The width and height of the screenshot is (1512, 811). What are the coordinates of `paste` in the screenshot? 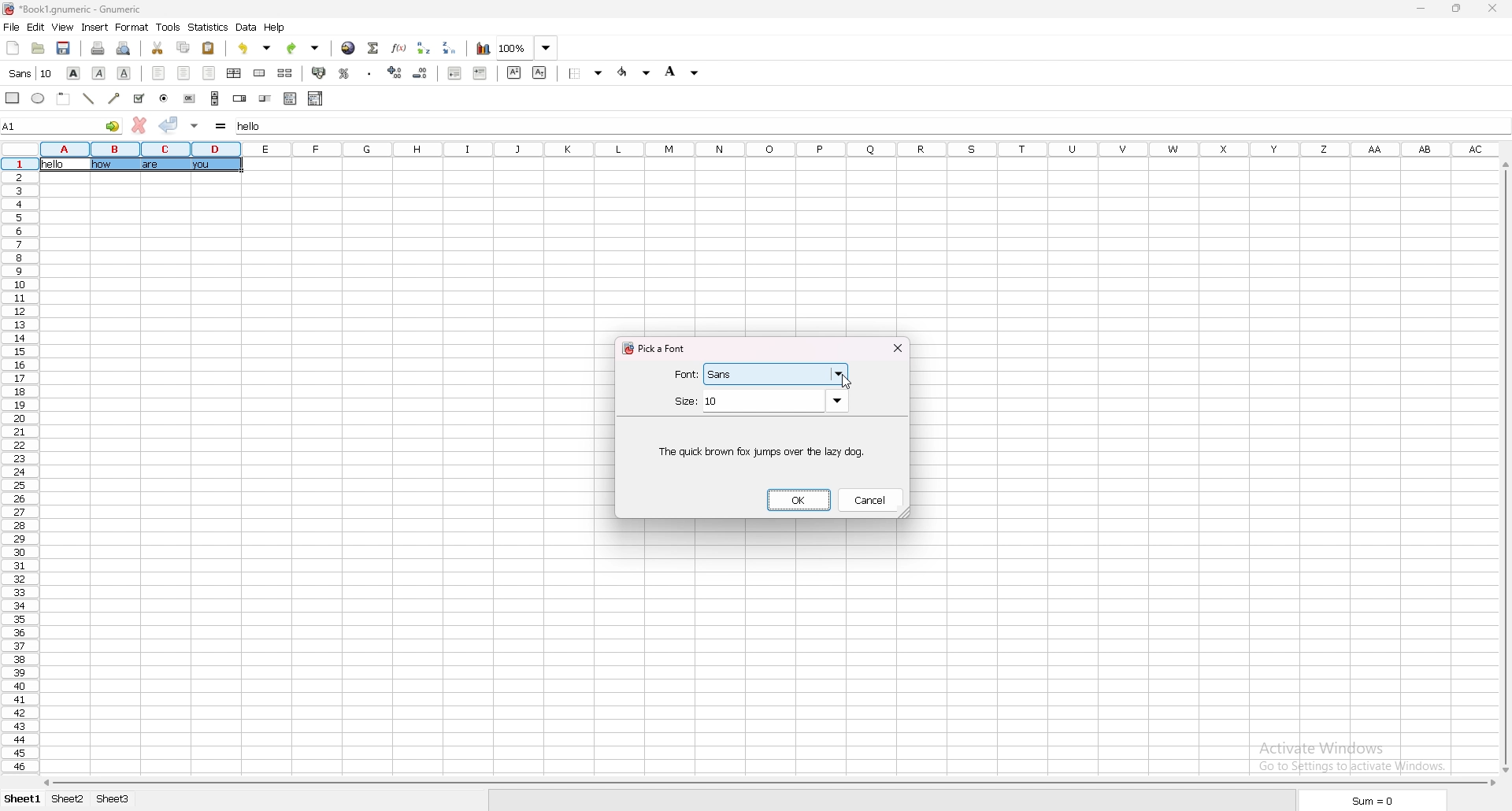 It's located at (209, 47).